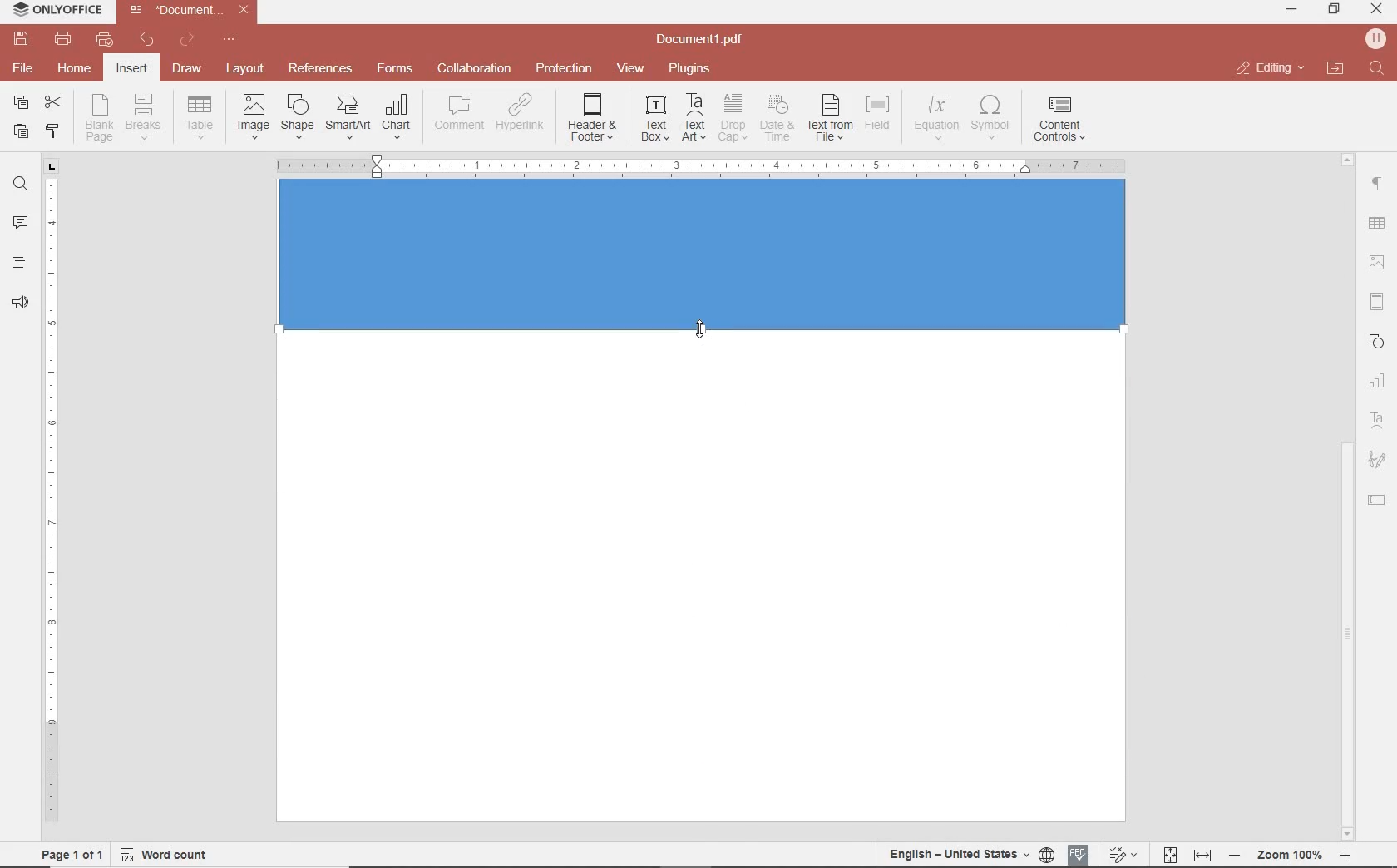 The image size is (1397, 868). I want to click on INSERT CONTENT CONTROLS, so click(1059, 120).